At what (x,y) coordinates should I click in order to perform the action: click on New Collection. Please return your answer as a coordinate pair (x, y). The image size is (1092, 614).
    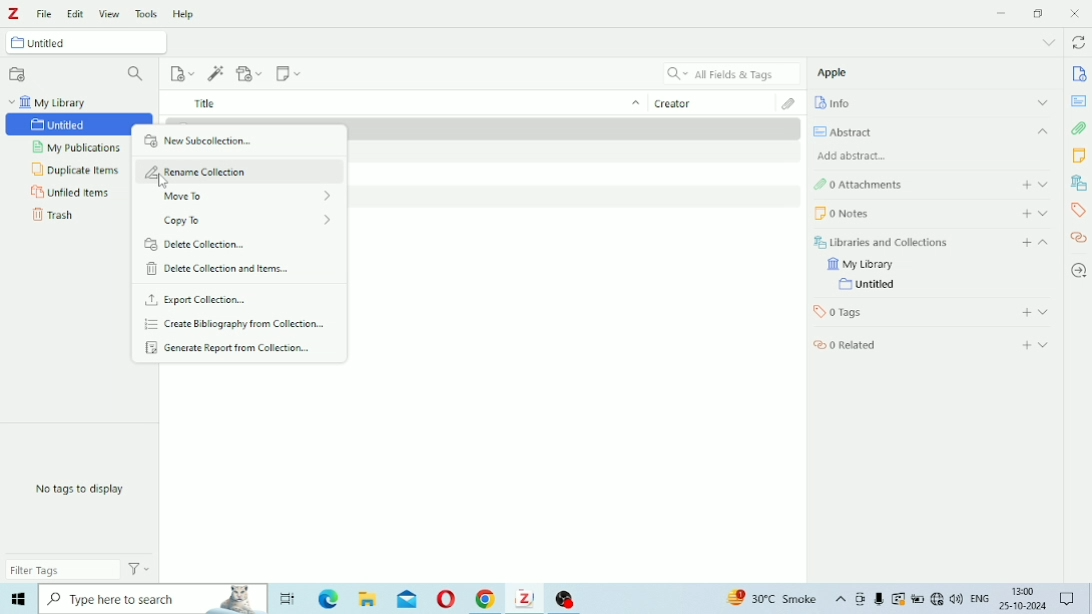
    Looking at the image, I should click on (19, 73).